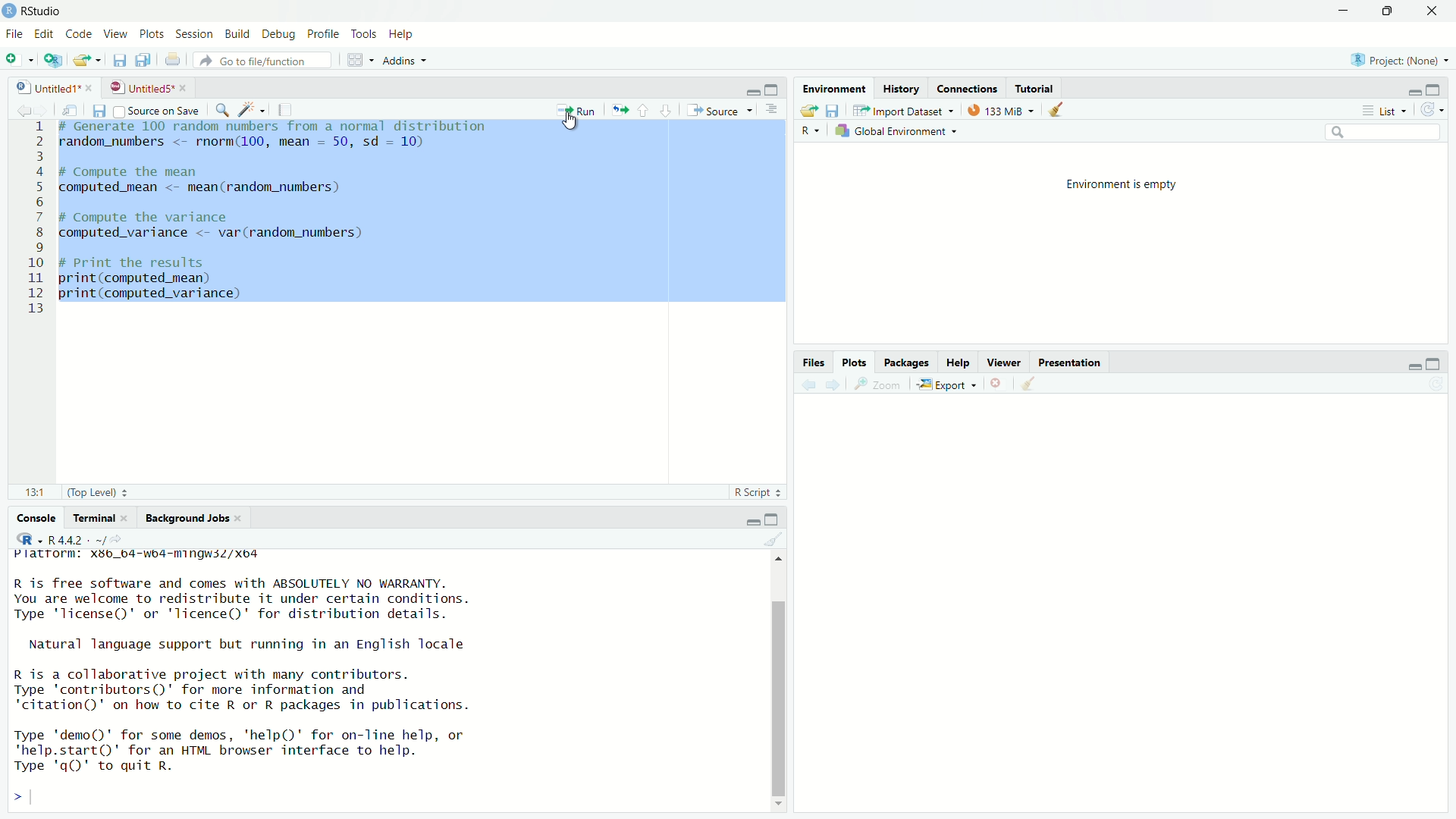 Image resolution: width=1456 pixels, height=819 pixels. I want to click on serial numbers, so click(30, 218).